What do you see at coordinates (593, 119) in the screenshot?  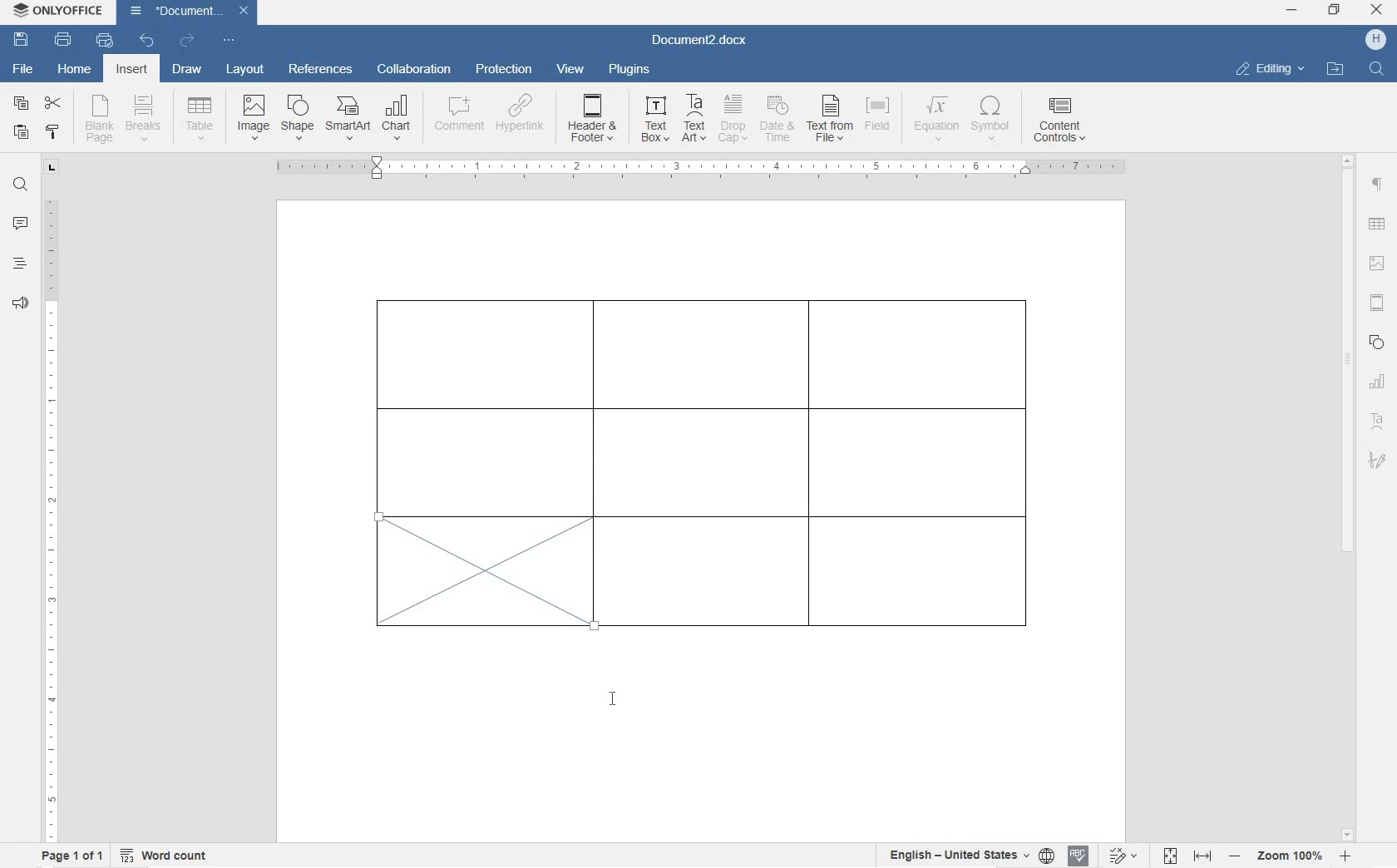 I see `HEADER & OOTER` at bounding box center [593, 119].